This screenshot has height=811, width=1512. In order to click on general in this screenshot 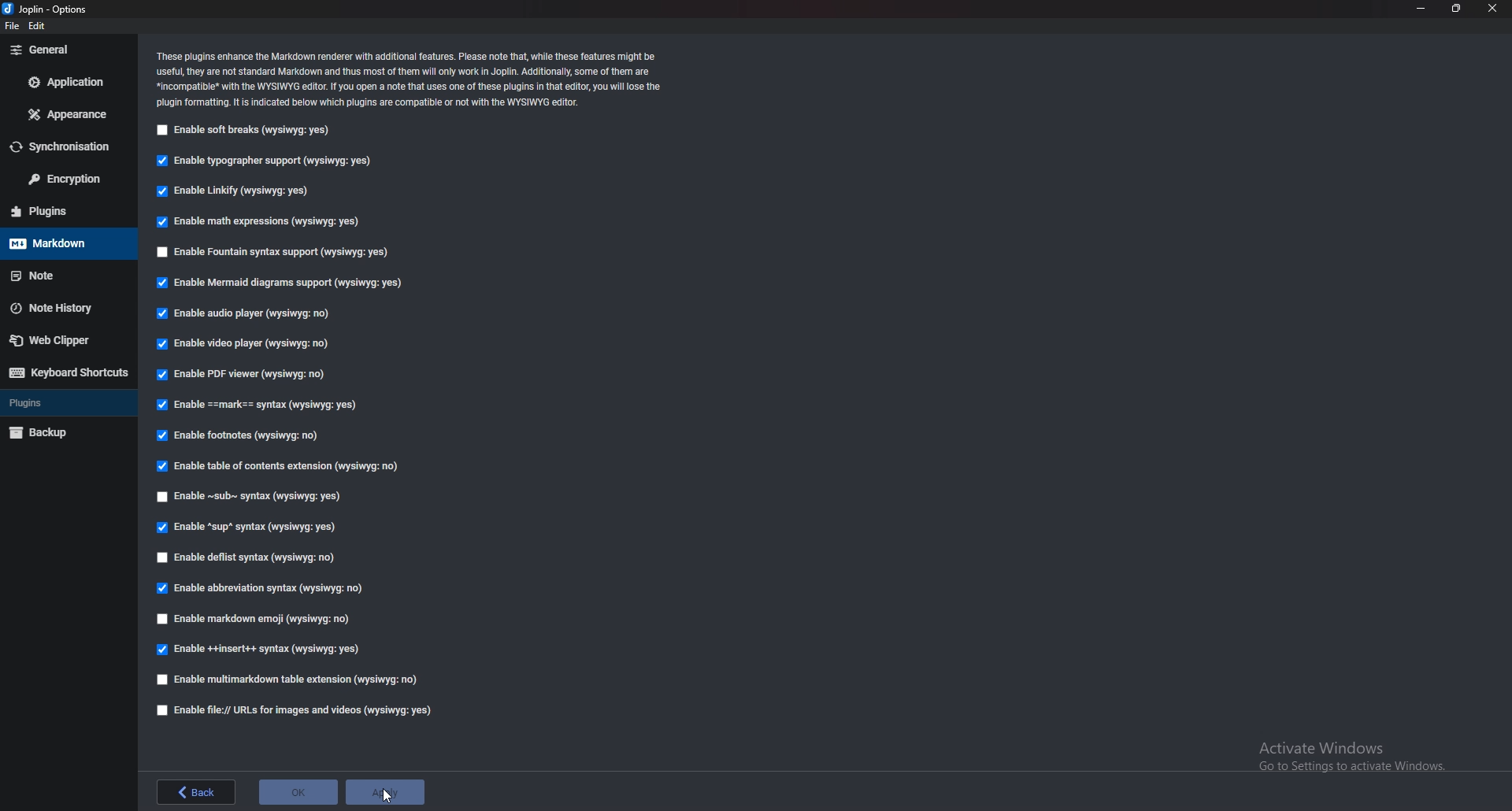, I will do `click(63, 50)`.